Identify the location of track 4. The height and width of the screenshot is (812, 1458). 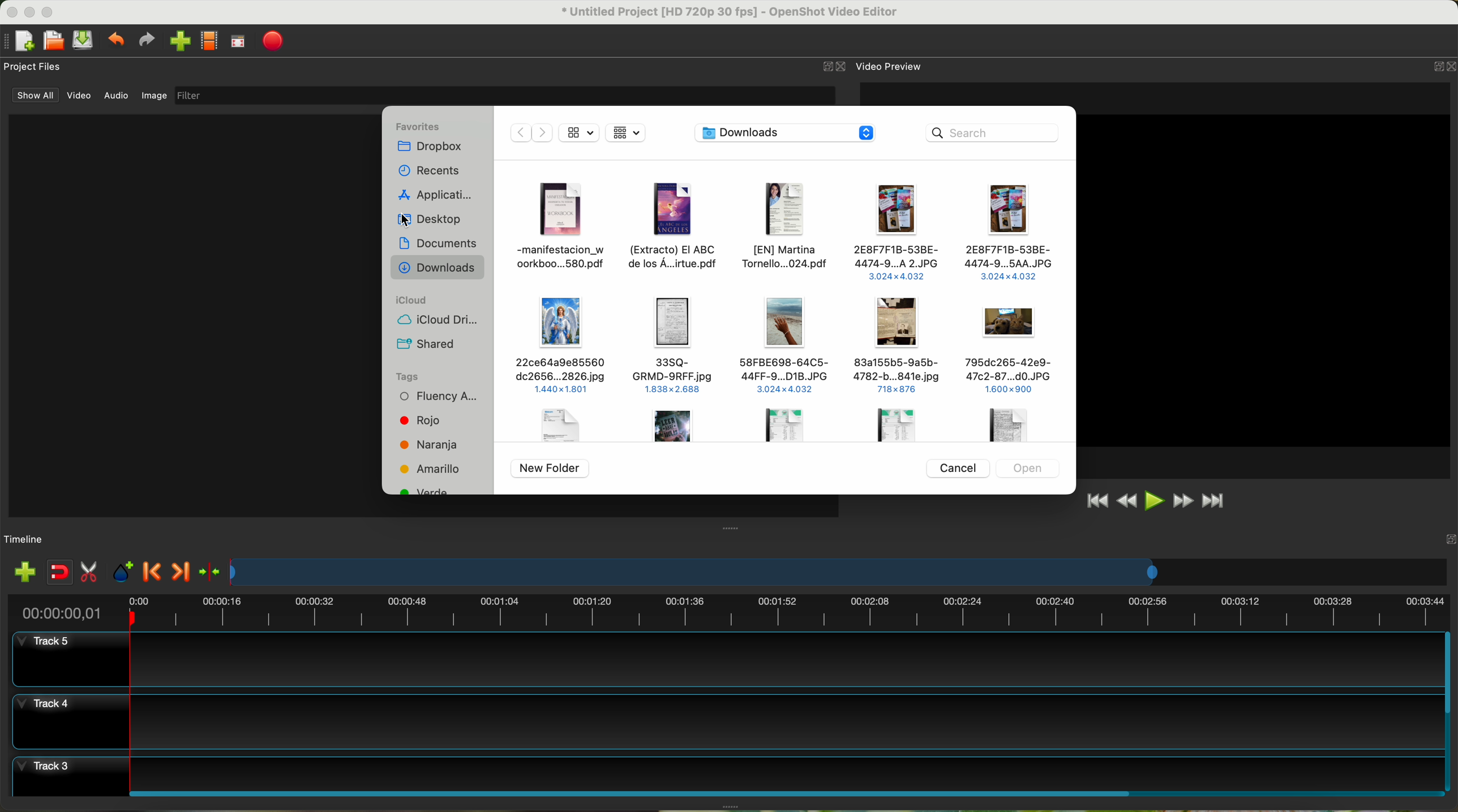
(725, 721).